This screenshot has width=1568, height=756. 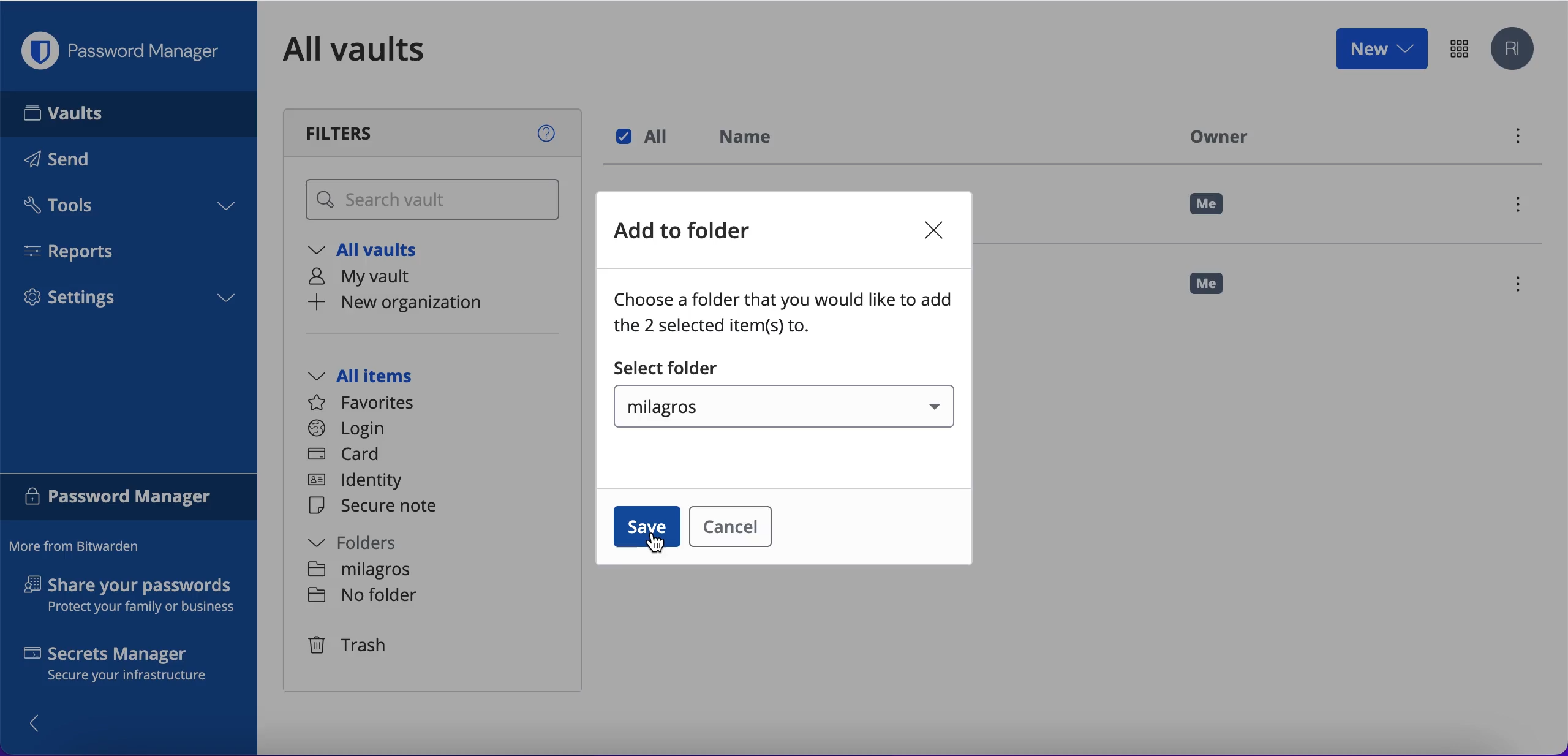 I want to click on more from bitwarden, so click(x=80, y=547).